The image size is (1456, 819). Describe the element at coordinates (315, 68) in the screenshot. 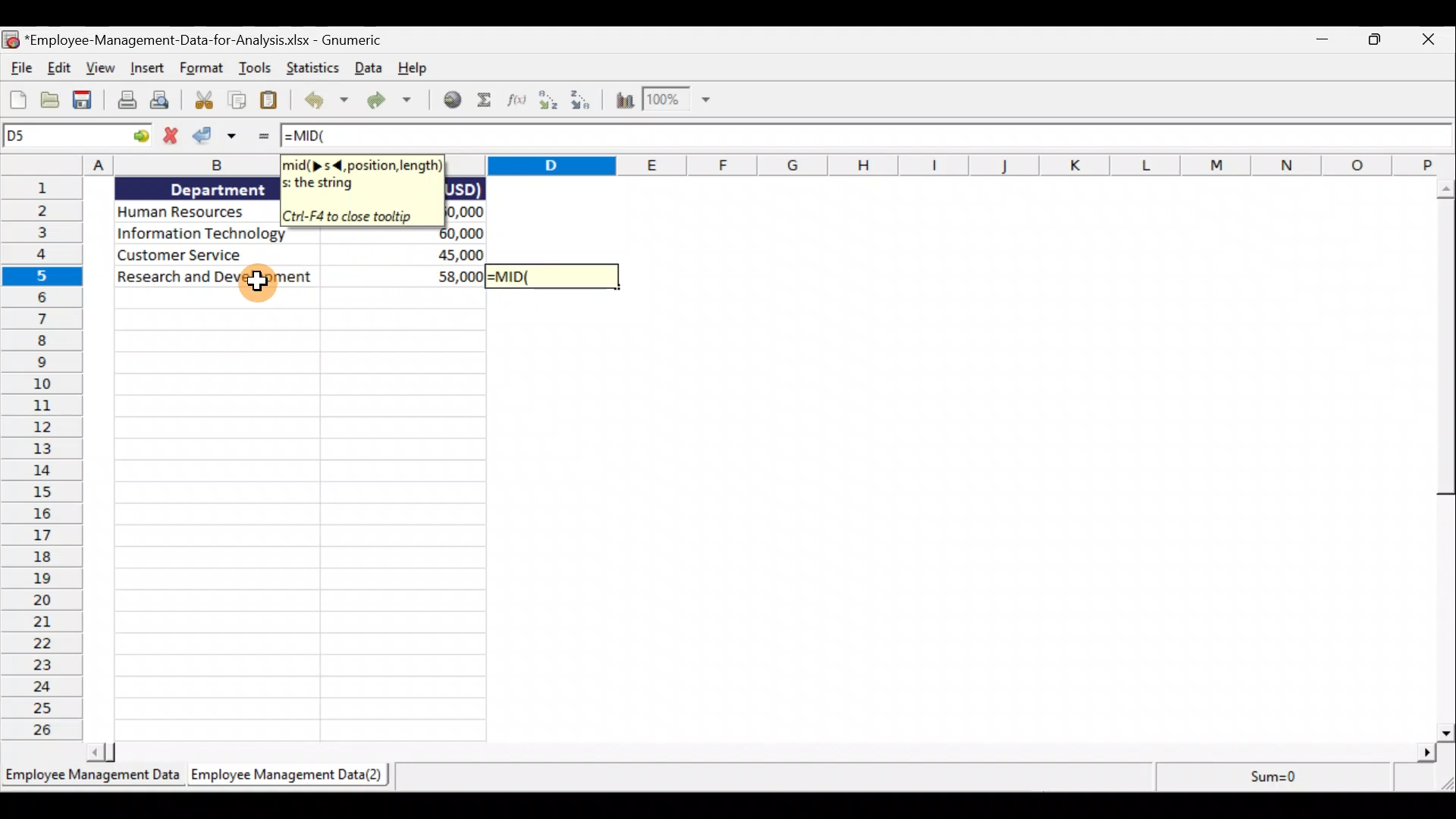

I see `Statistics` at that location.